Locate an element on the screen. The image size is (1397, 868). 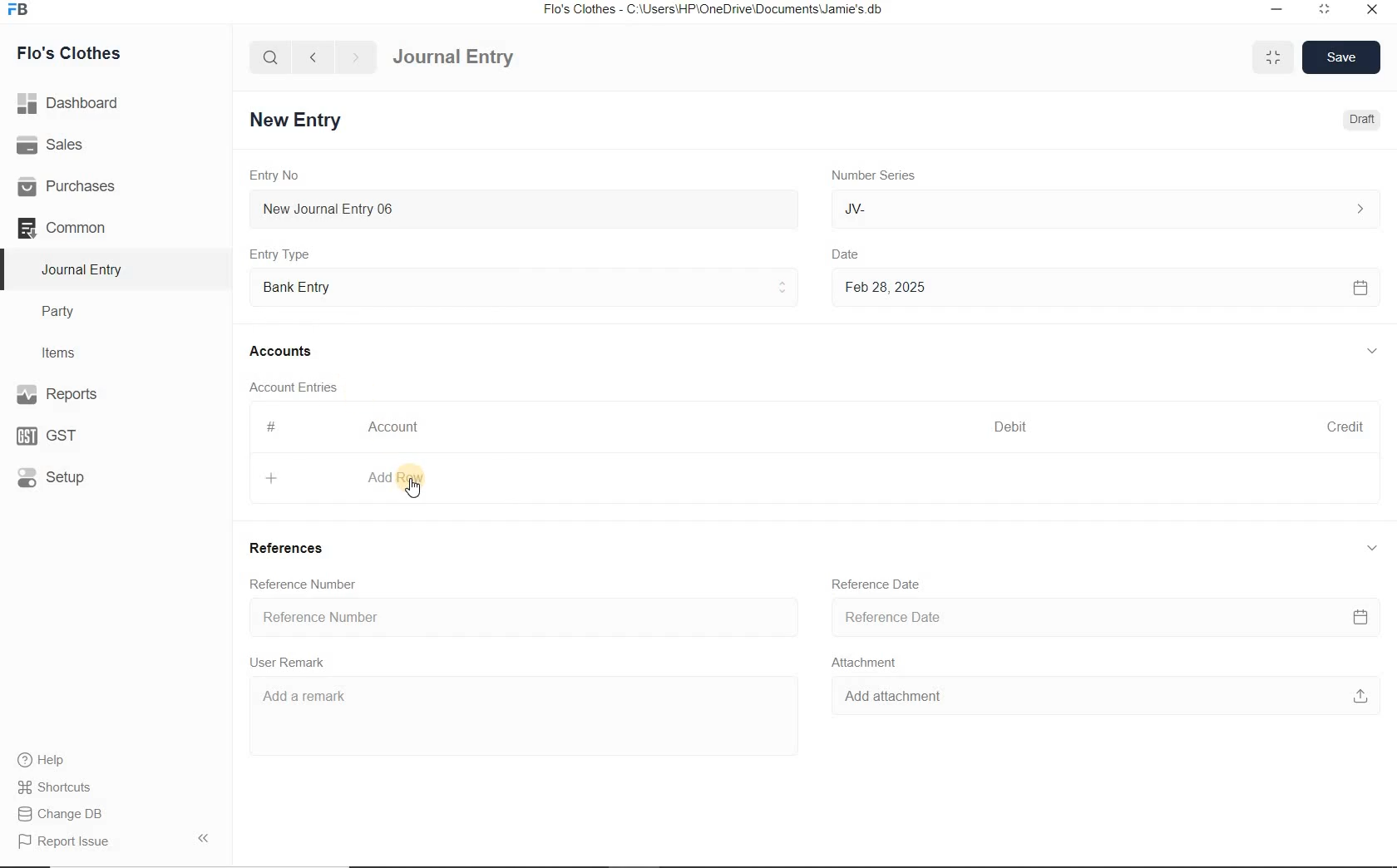
maximize is located at coordinates (1325, 8).